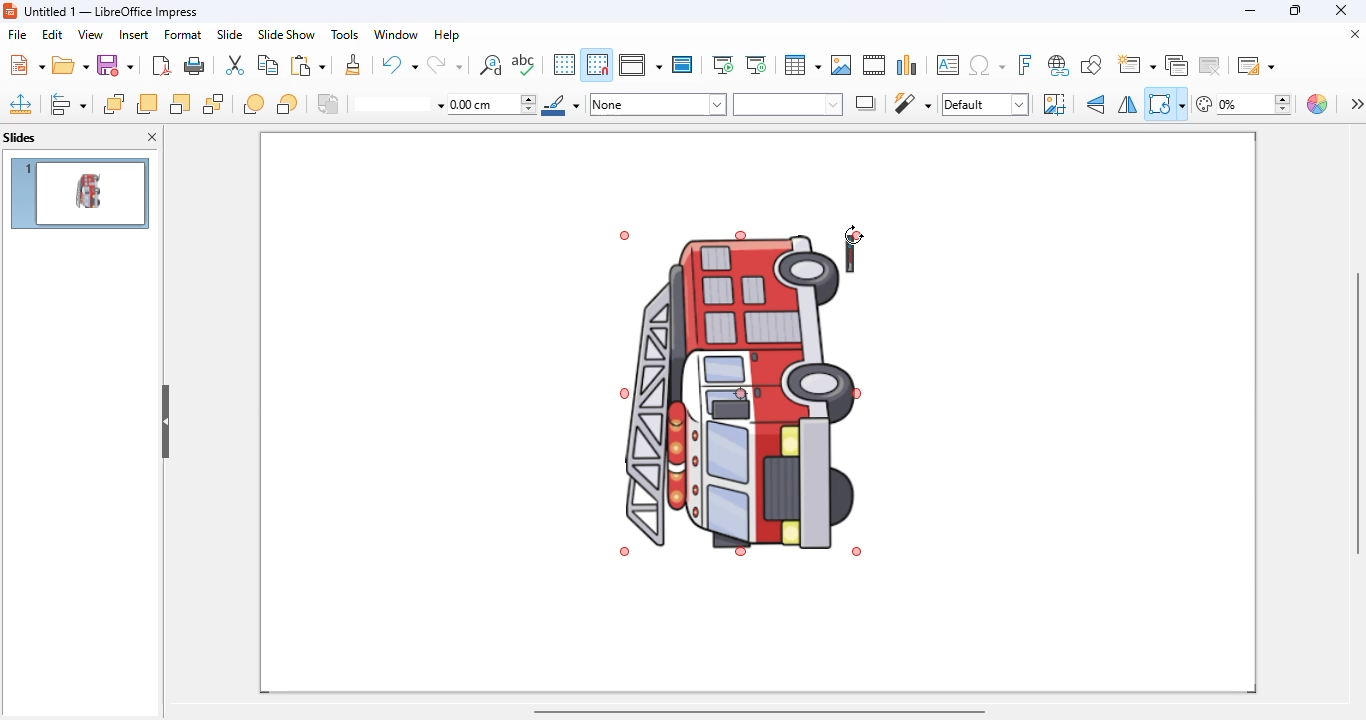 This screenshot has width=1366, height=720. I want to click on new slide, so click(1137, 64).